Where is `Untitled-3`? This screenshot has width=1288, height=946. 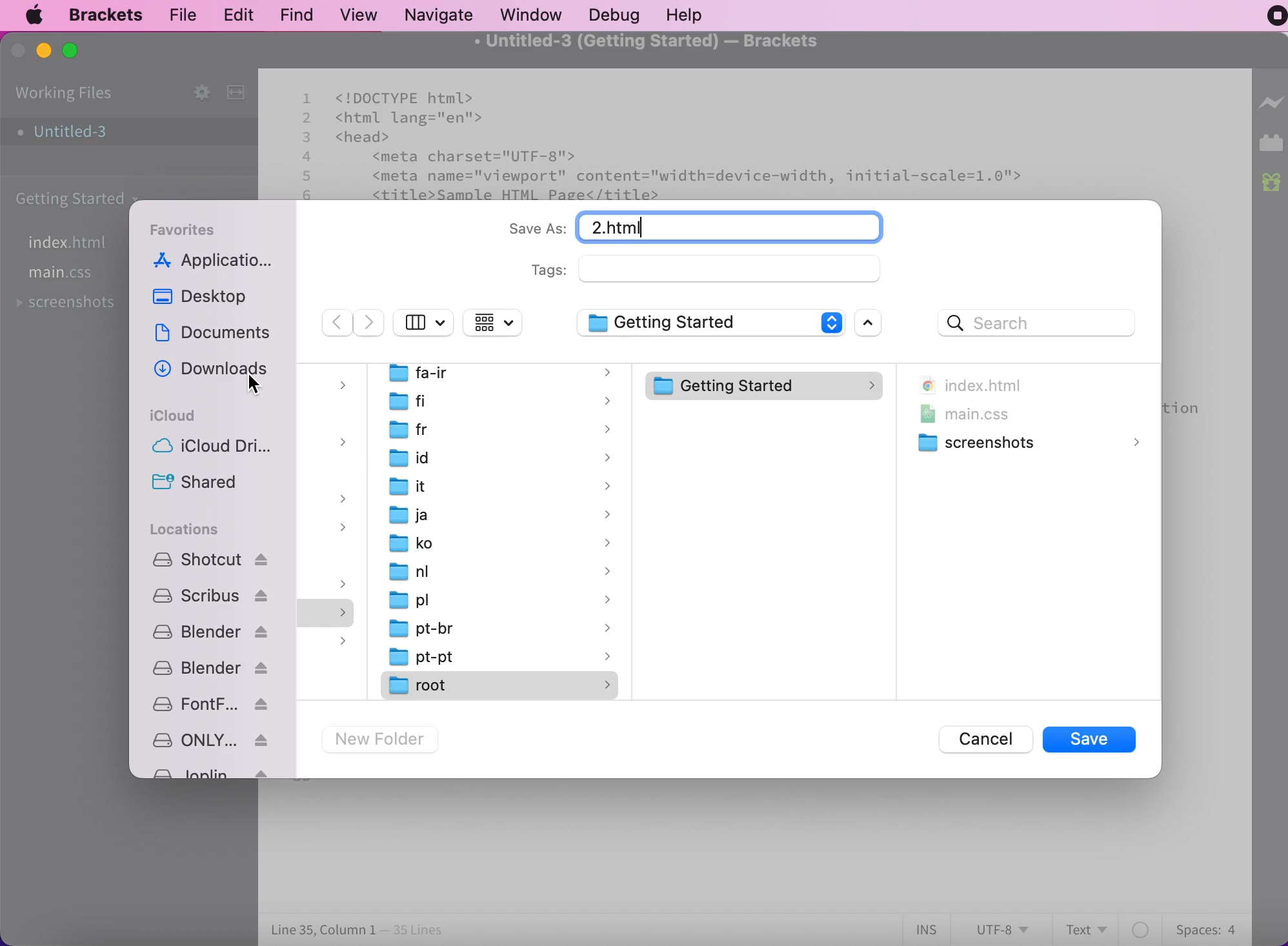 Untitled-3 is located at coordinates (645, 226).